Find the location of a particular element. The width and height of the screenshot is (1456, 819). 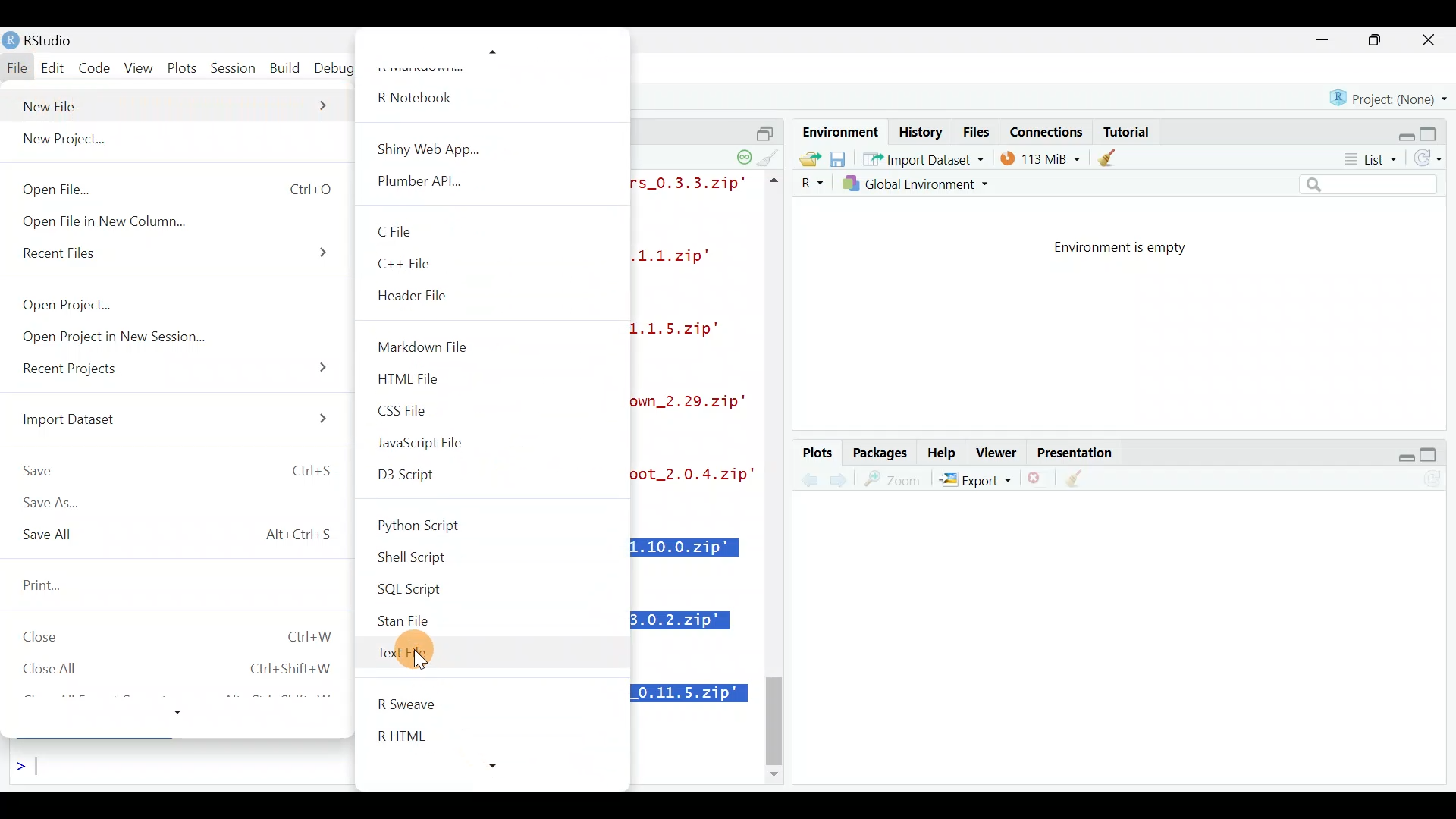

Maximize is located at coordinates (1436, 130).